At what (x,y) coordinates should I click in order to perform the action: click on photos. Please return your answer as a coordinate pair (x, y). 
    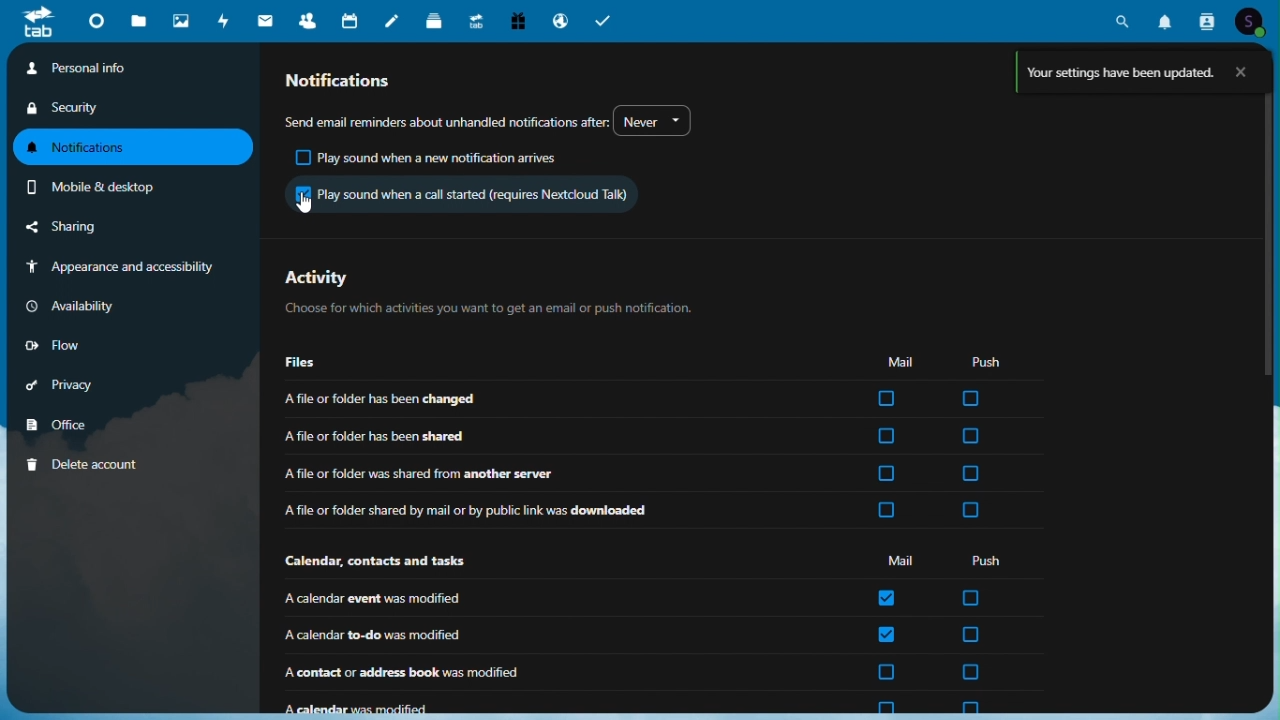
    Looking at the image, I should click on (180, 19).